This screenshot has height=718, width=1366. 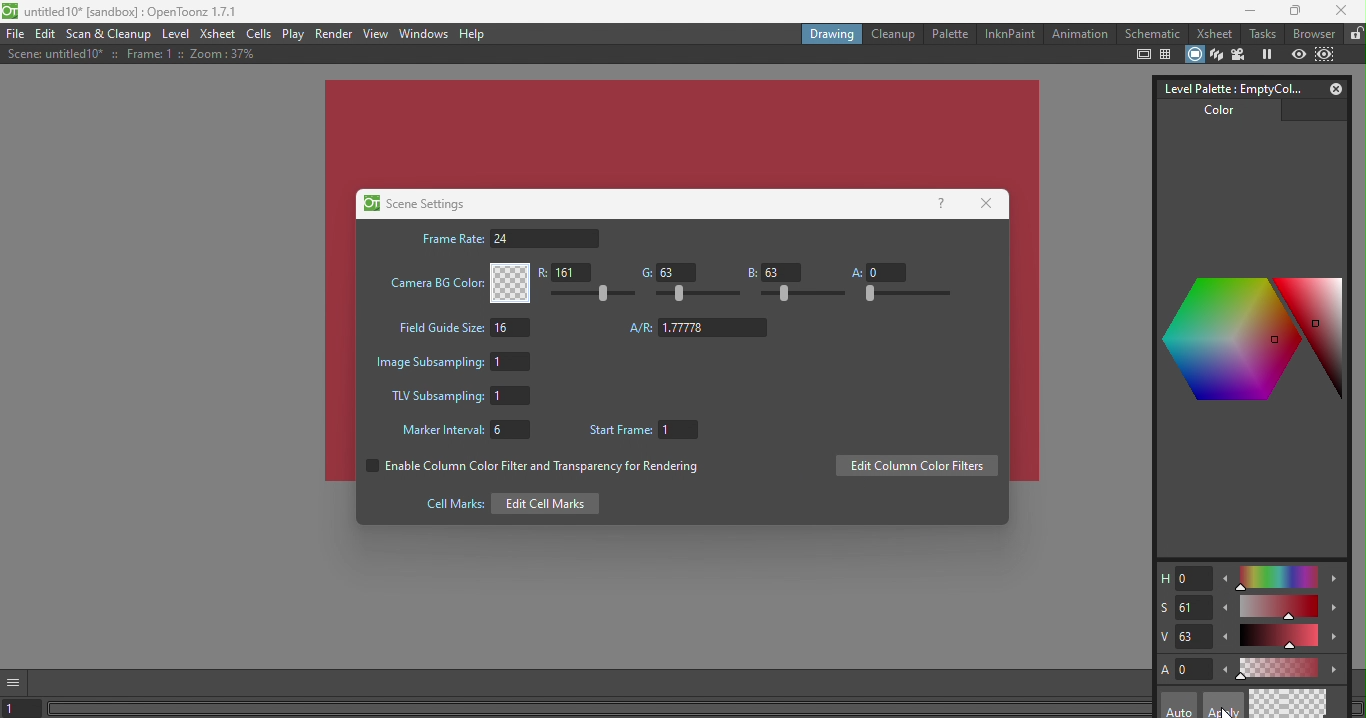 What do you see at coordinates (892, 34) in the screenshot?
I see `Cleanup` at bounding box center [892, 34].